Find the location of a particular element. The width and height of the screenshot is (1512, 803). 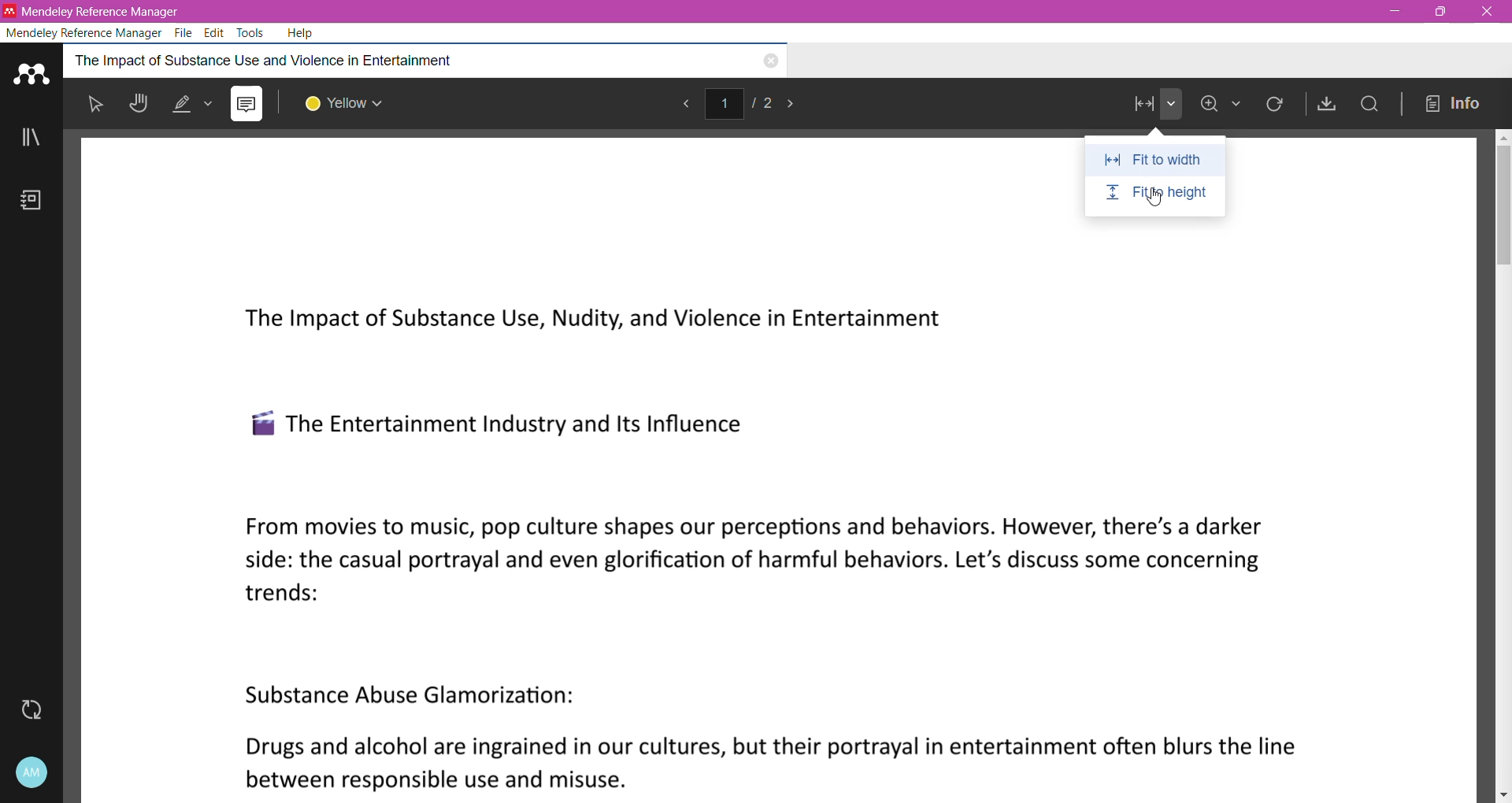

Close is located at coordinates (1484, 12).